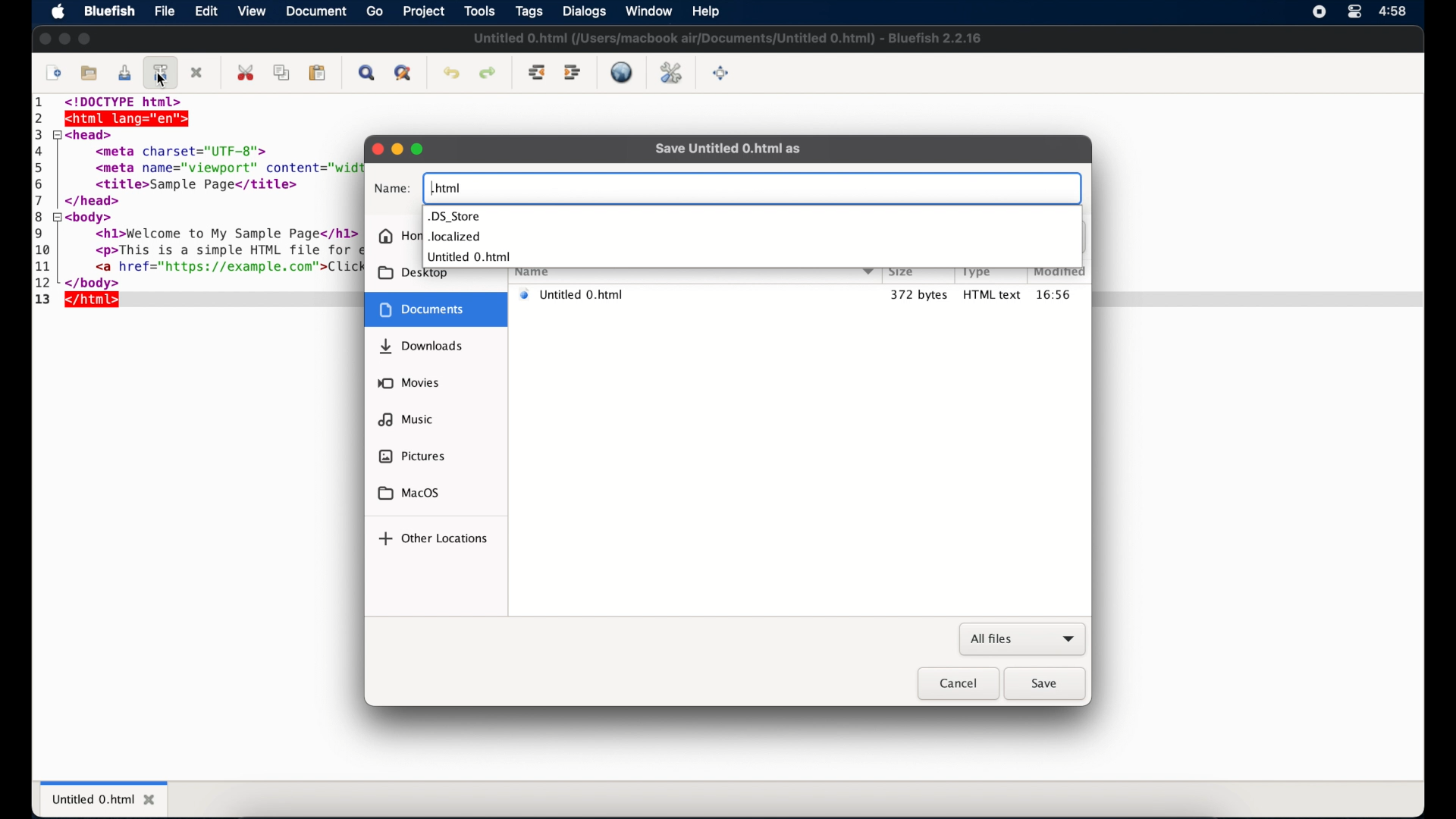  What do you see at coordinates (488, 73) in the screenshot?
I see `redo` at bounding box center [488, 73].